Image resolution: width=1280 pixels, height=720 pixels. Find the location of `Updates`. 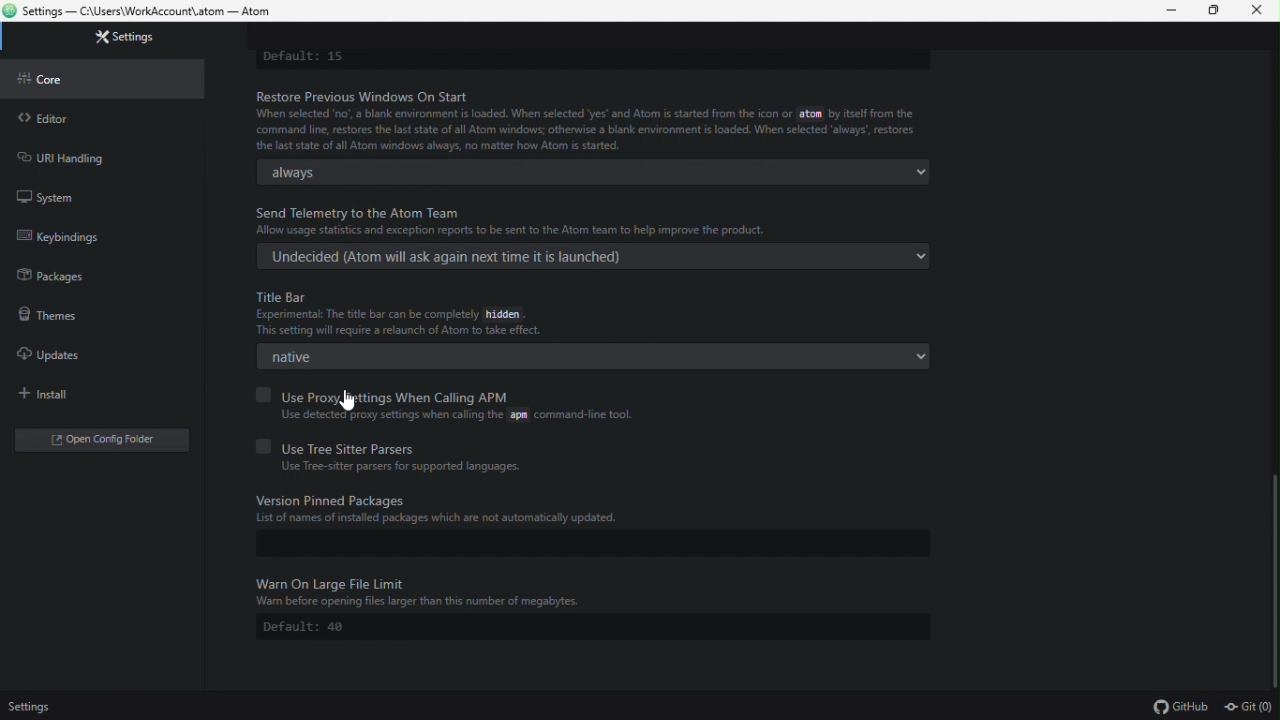

Updates is located at coordinates (62, 348).